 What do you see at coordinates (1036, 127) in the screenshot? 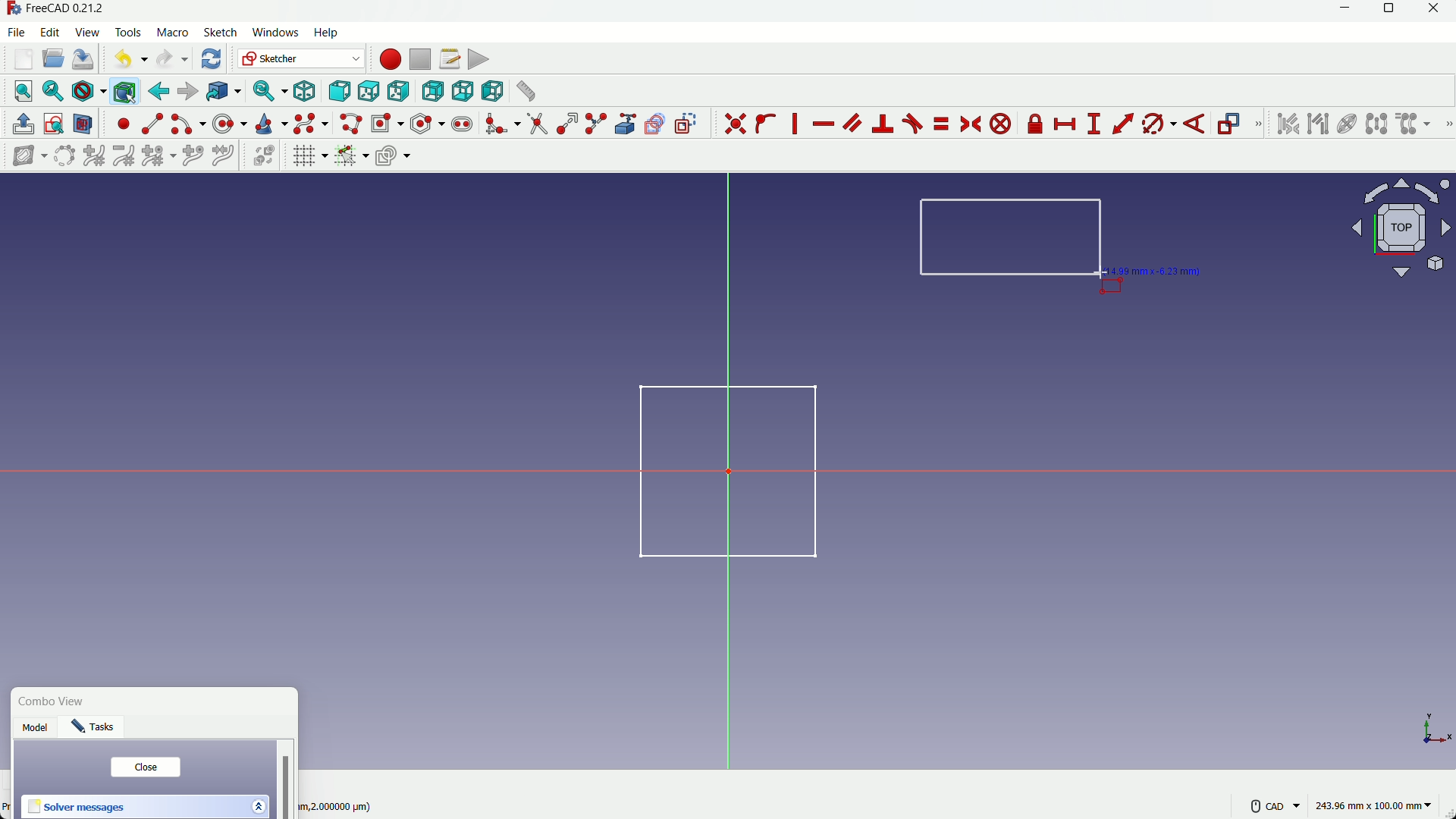
I see `constraint lock` at bounding box center [1036, 127].